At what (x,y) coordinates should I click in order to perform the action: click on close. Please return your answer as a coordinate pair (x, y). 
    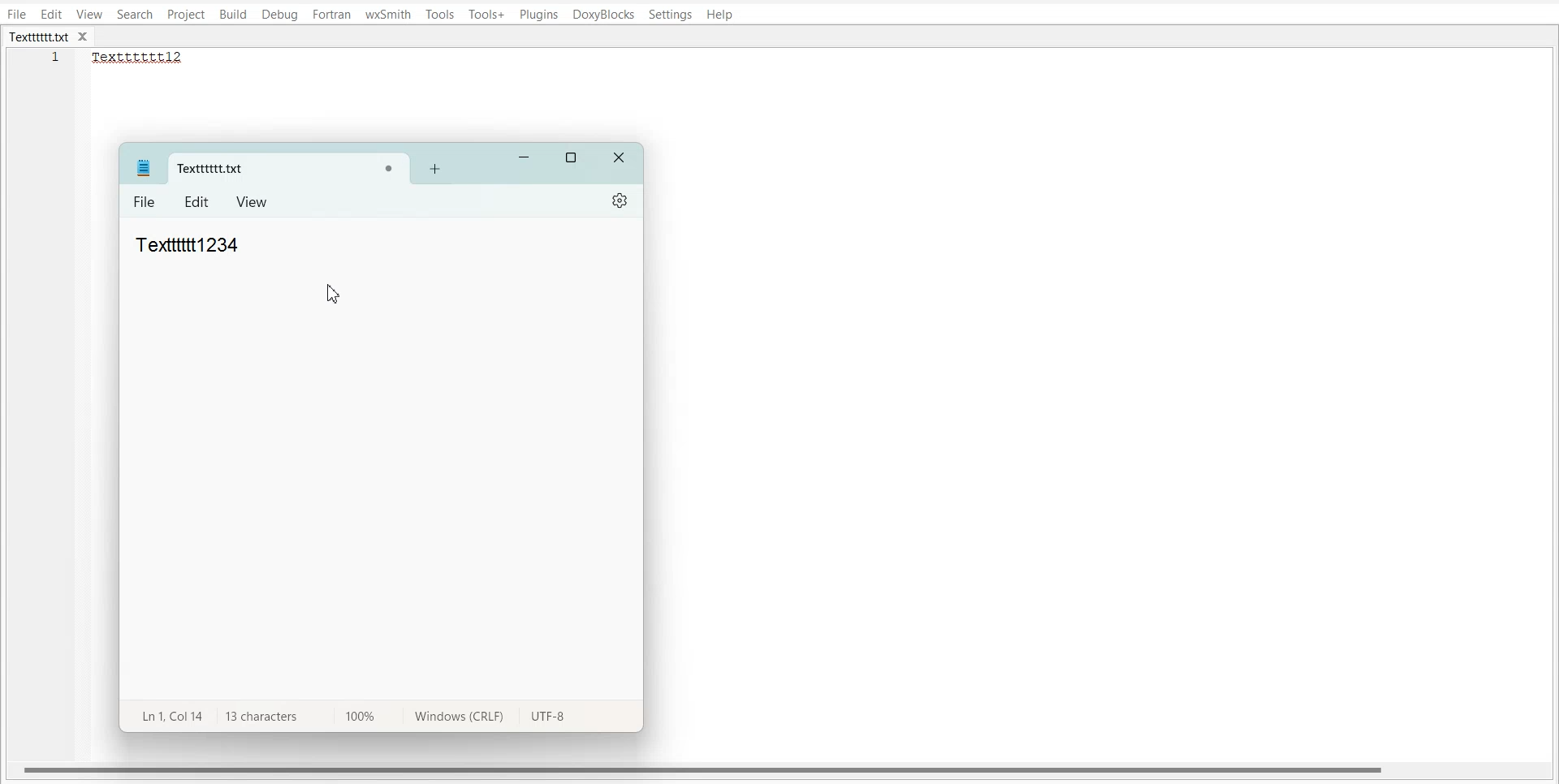
    Looking at the image, I should click on (87, 37).